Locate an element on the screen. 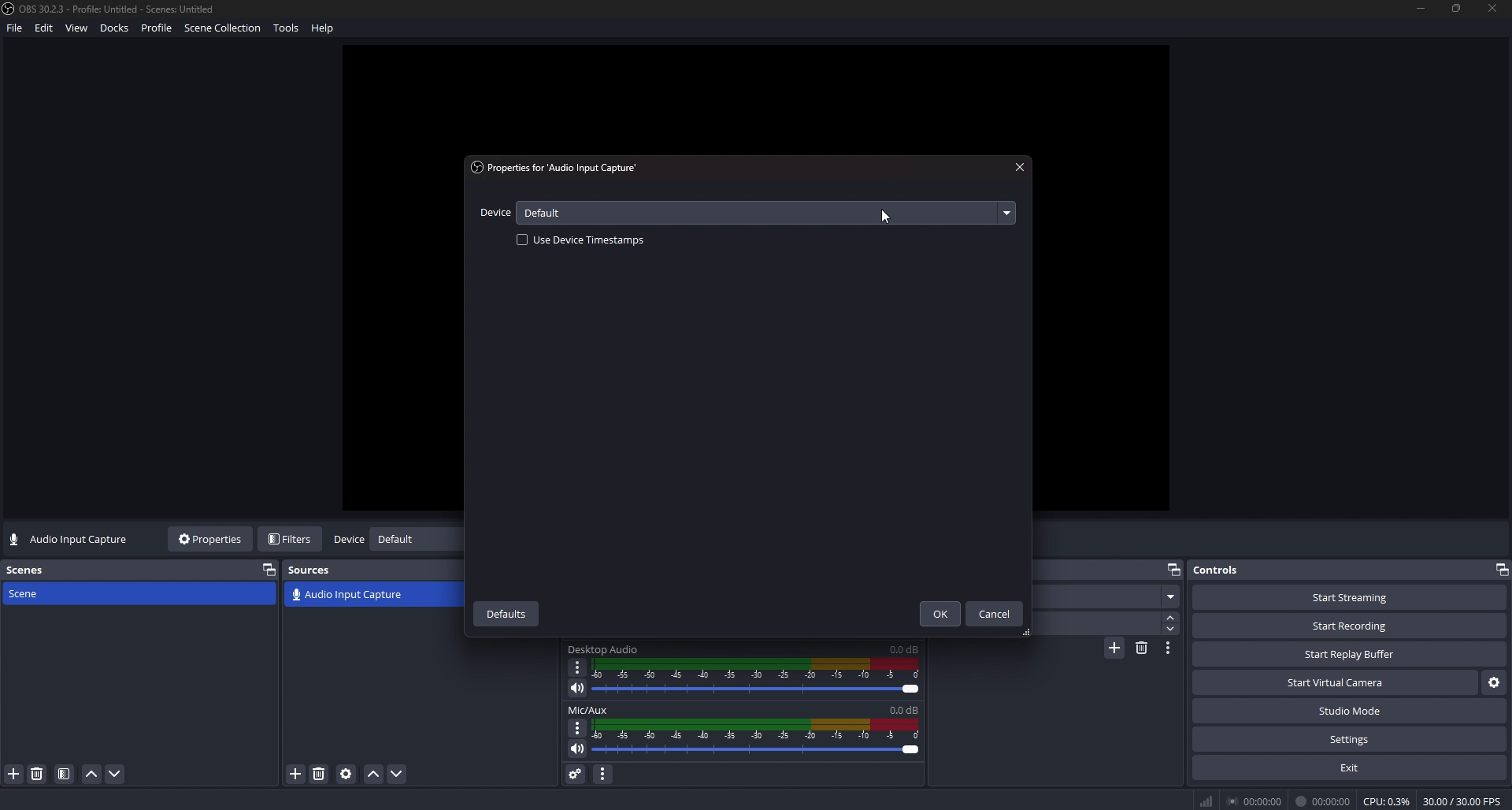 The image size is (1512, 810). advanced audio properties is located at coordinates (575, 773).